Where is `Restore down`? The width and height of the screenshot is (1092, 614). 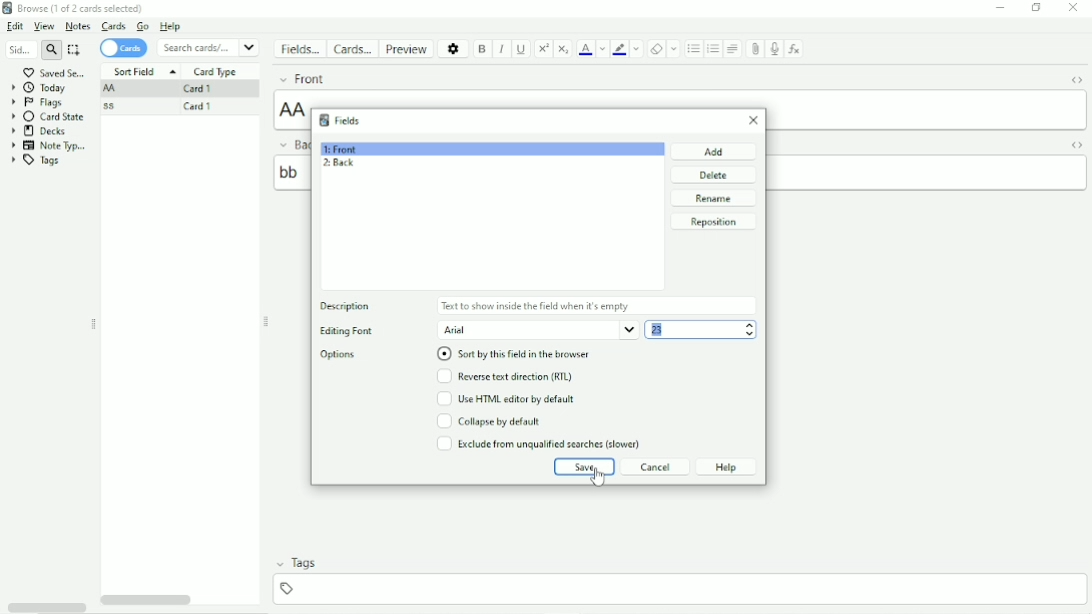
Restore down is located at coordinates (1037, 9).